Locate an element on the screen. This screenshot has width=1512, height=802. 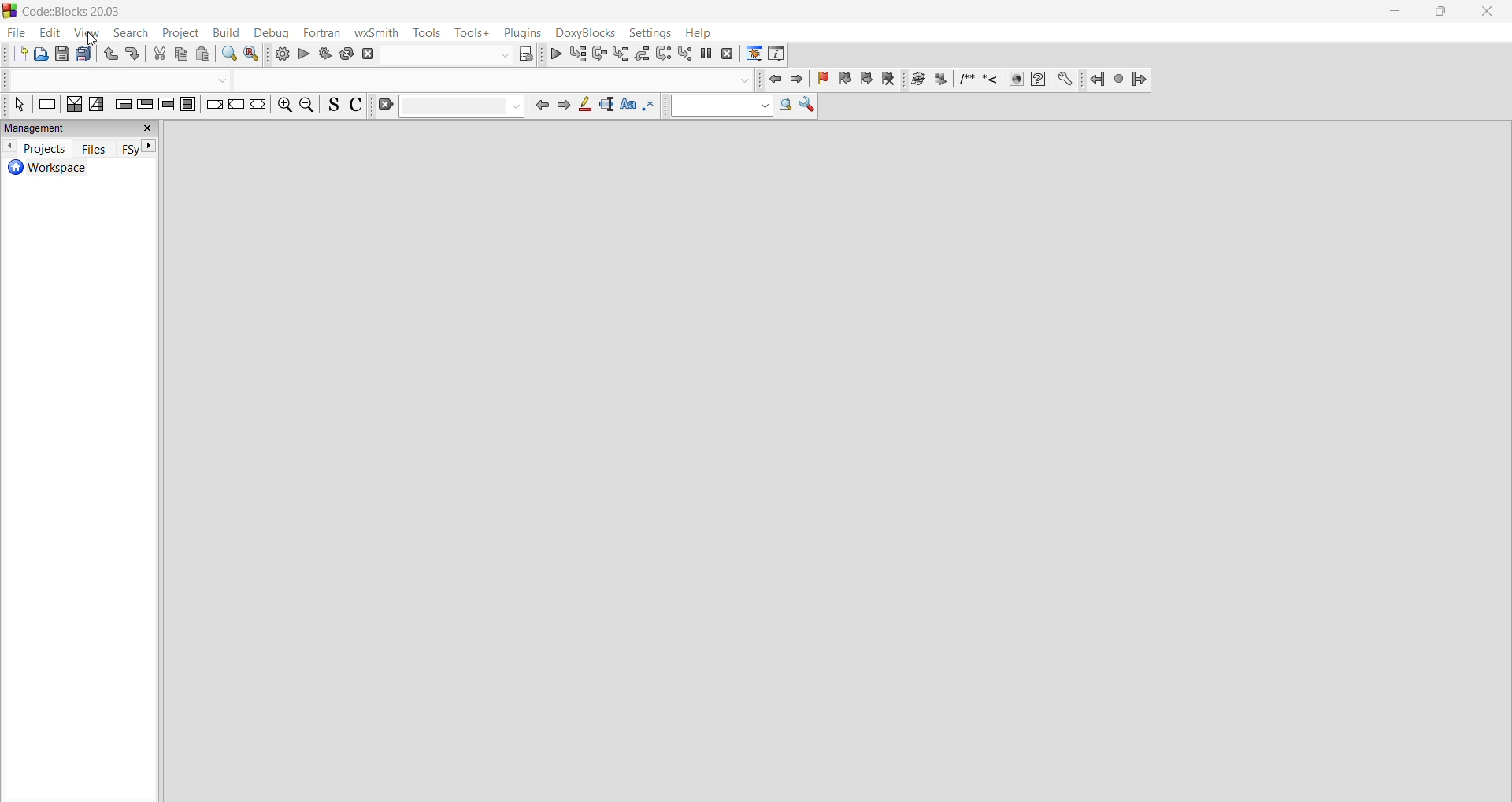
continue instruction is located at coordinates (237, 106).